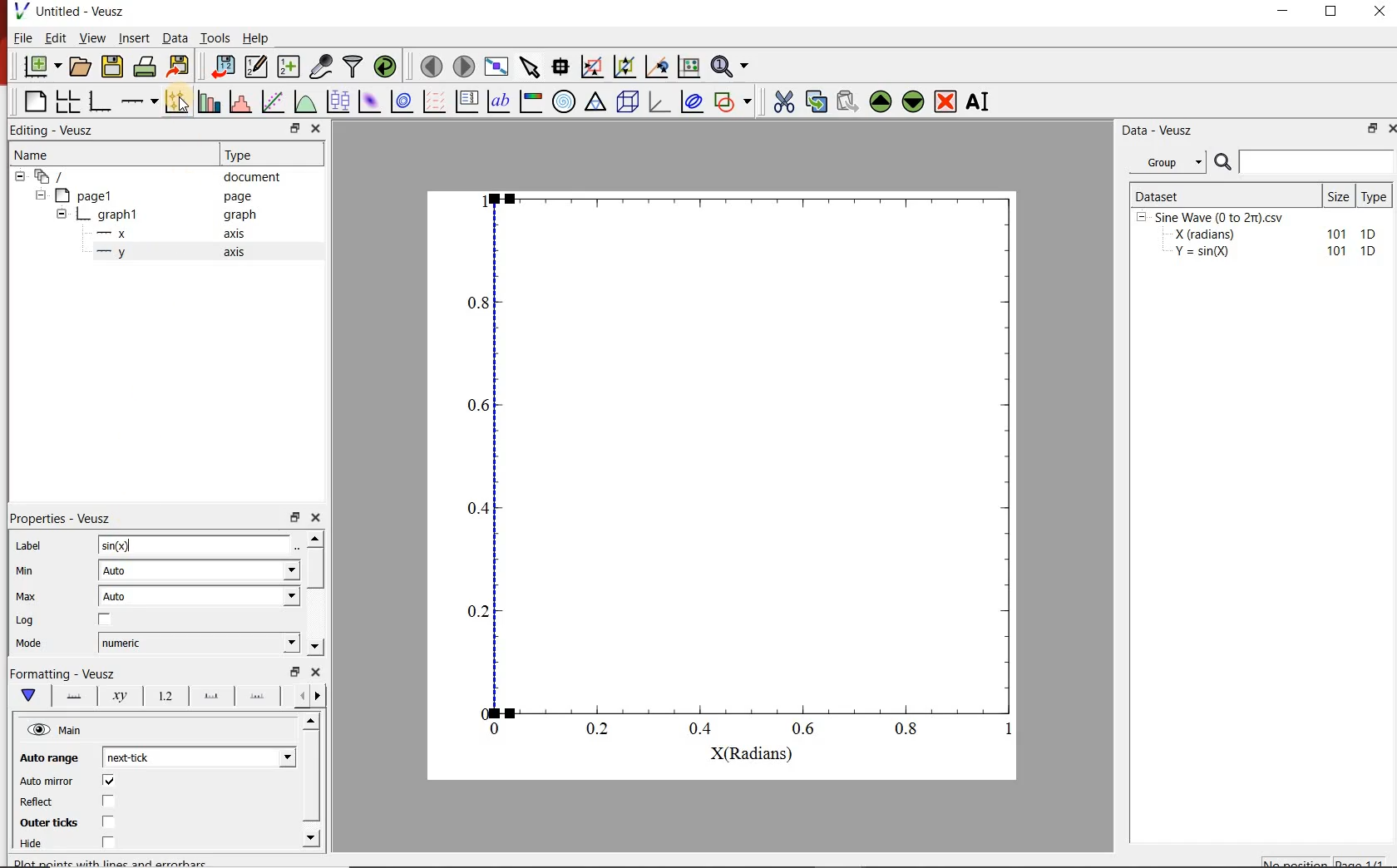 This screenshot has height=868, width=1397. Describe the element at coordinates (62, 672) in the screenshot. I see `Formatting - Veusz` at that location.